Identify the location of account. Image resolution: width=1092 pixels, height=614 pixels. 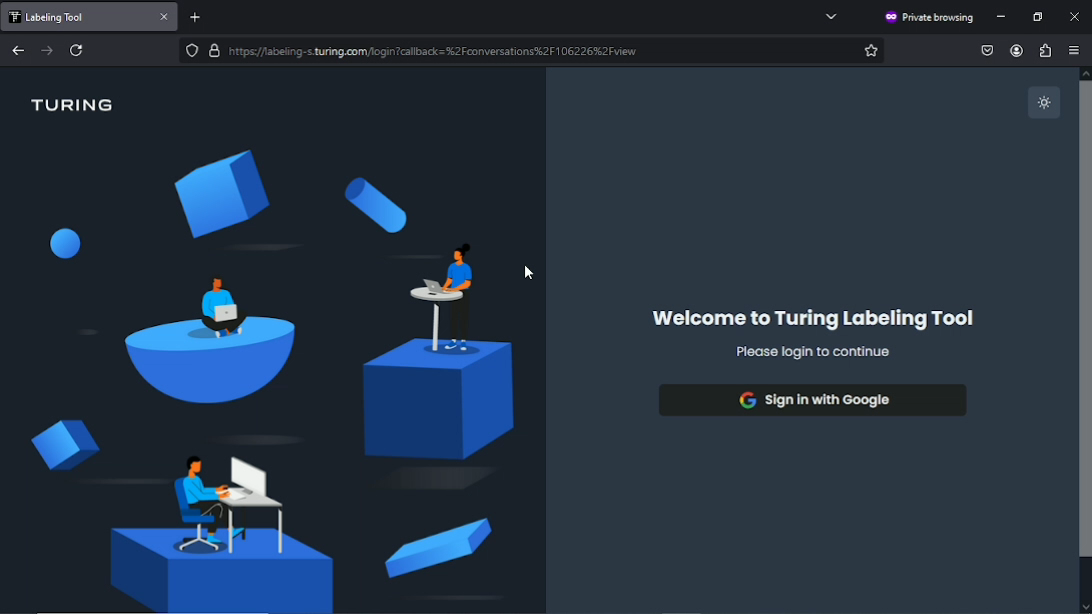
(1014, 51).